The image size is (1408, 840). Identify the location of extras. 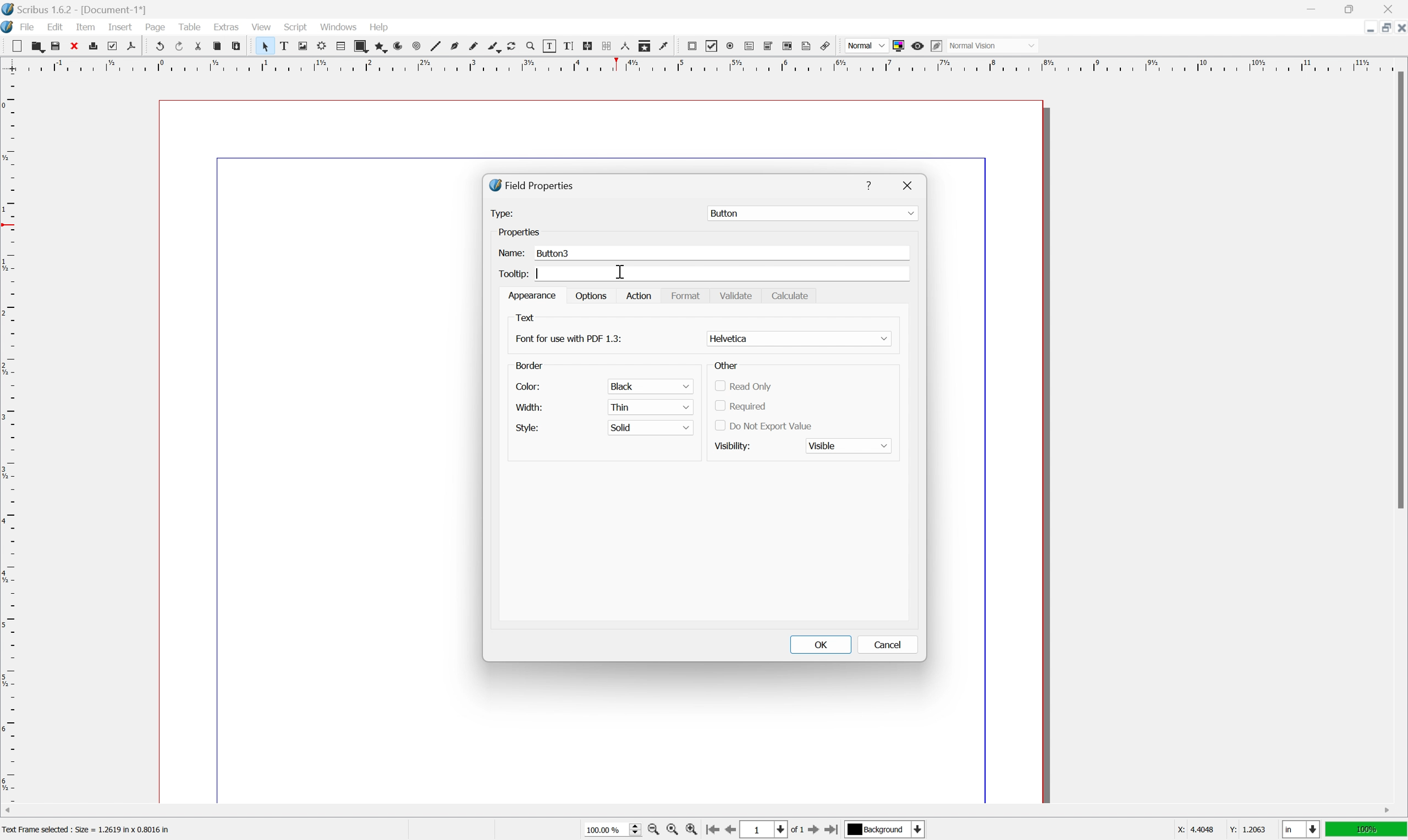
(227, 27).